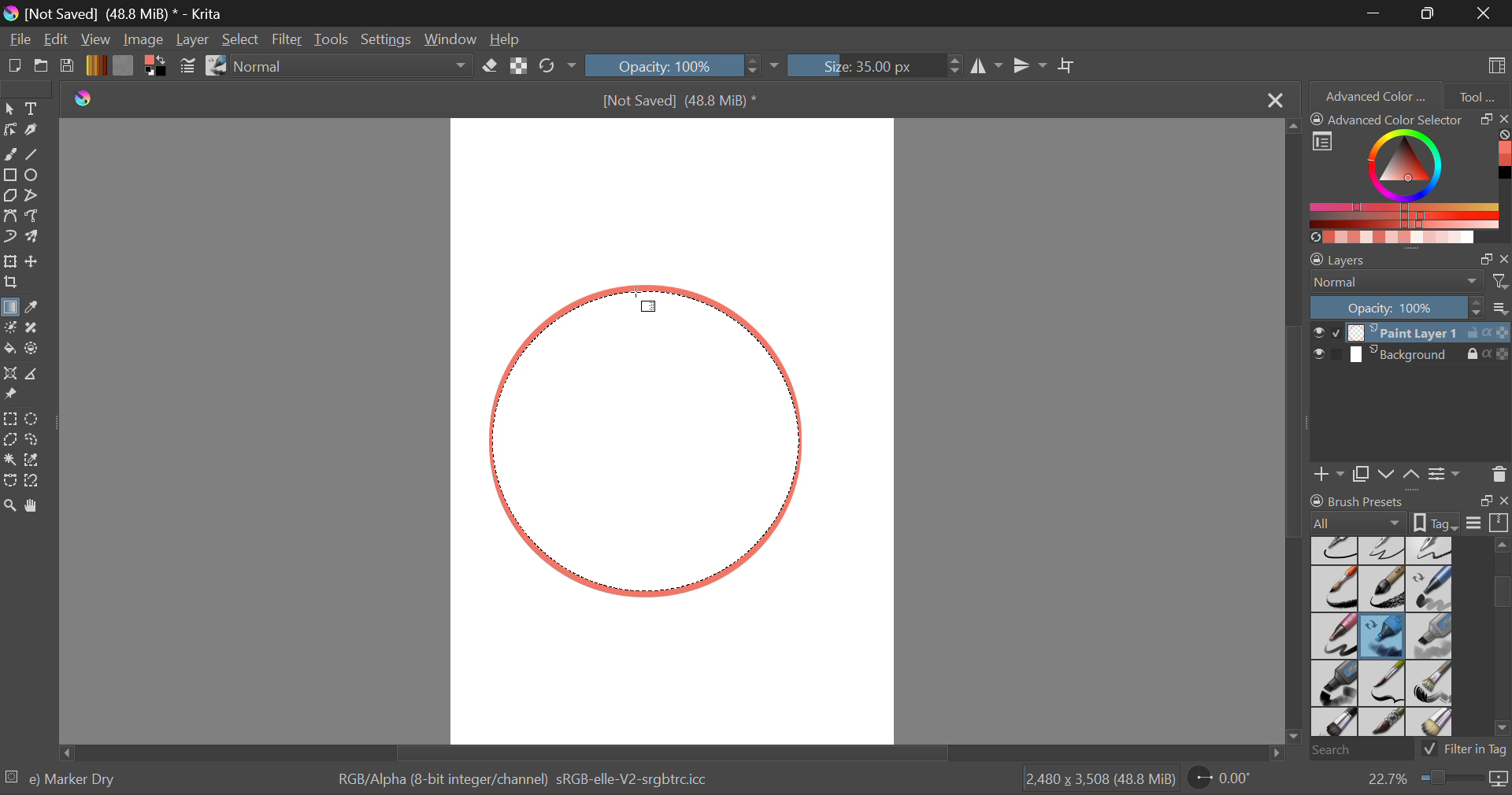 This screenshot has height=795, width=1512. What do you see at coordinates (38, 481) in the screenshot?
I see `Magnetic Curve Selection` at bounding box center [38, 481].